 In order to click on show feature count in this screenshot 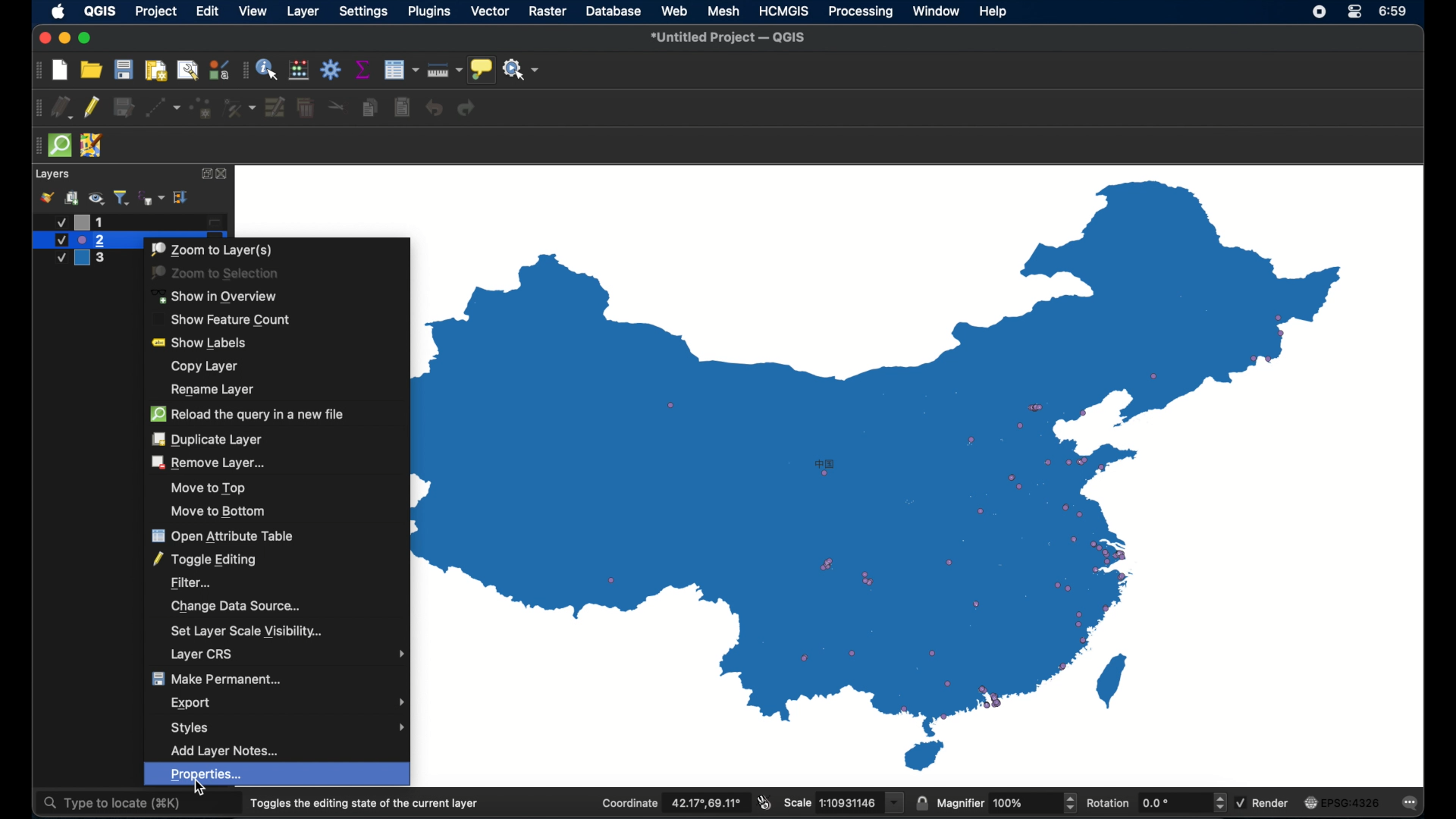, I will do `click(231, 320)`.